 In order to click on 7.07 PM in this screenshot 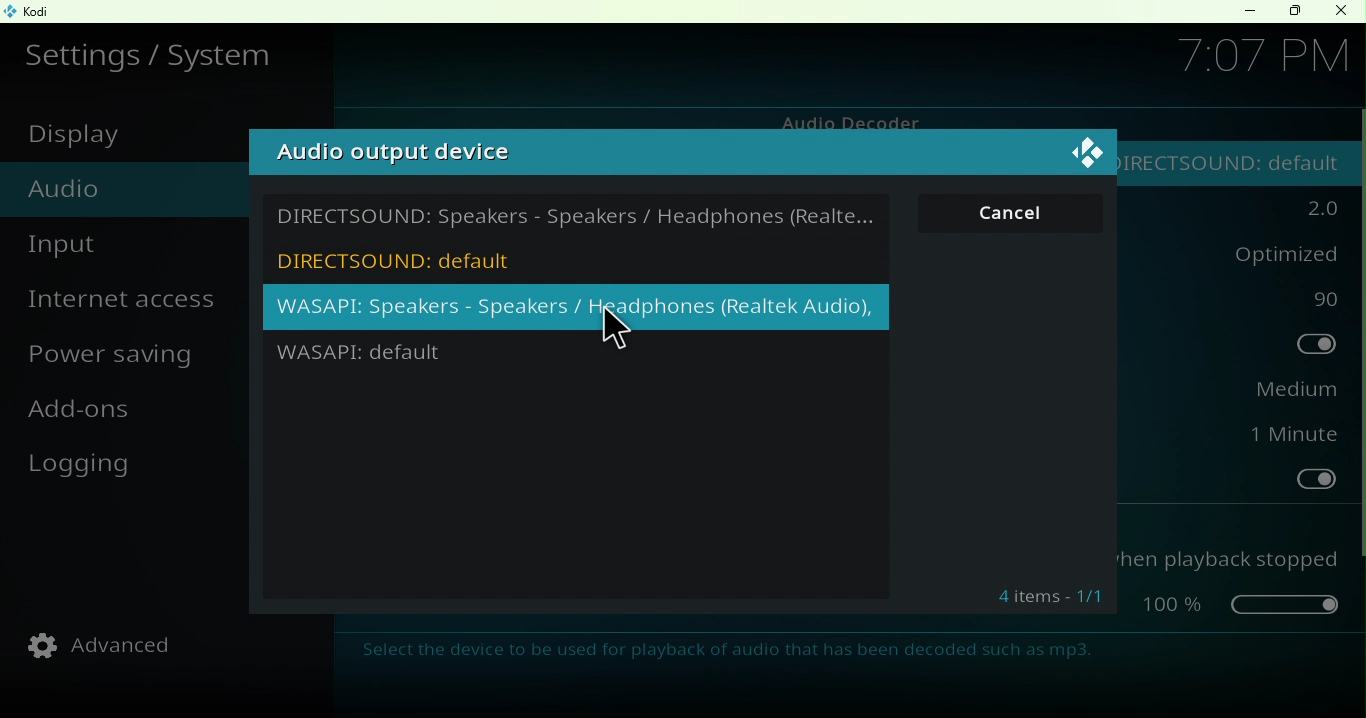, I will do `click(1259, 60)`.